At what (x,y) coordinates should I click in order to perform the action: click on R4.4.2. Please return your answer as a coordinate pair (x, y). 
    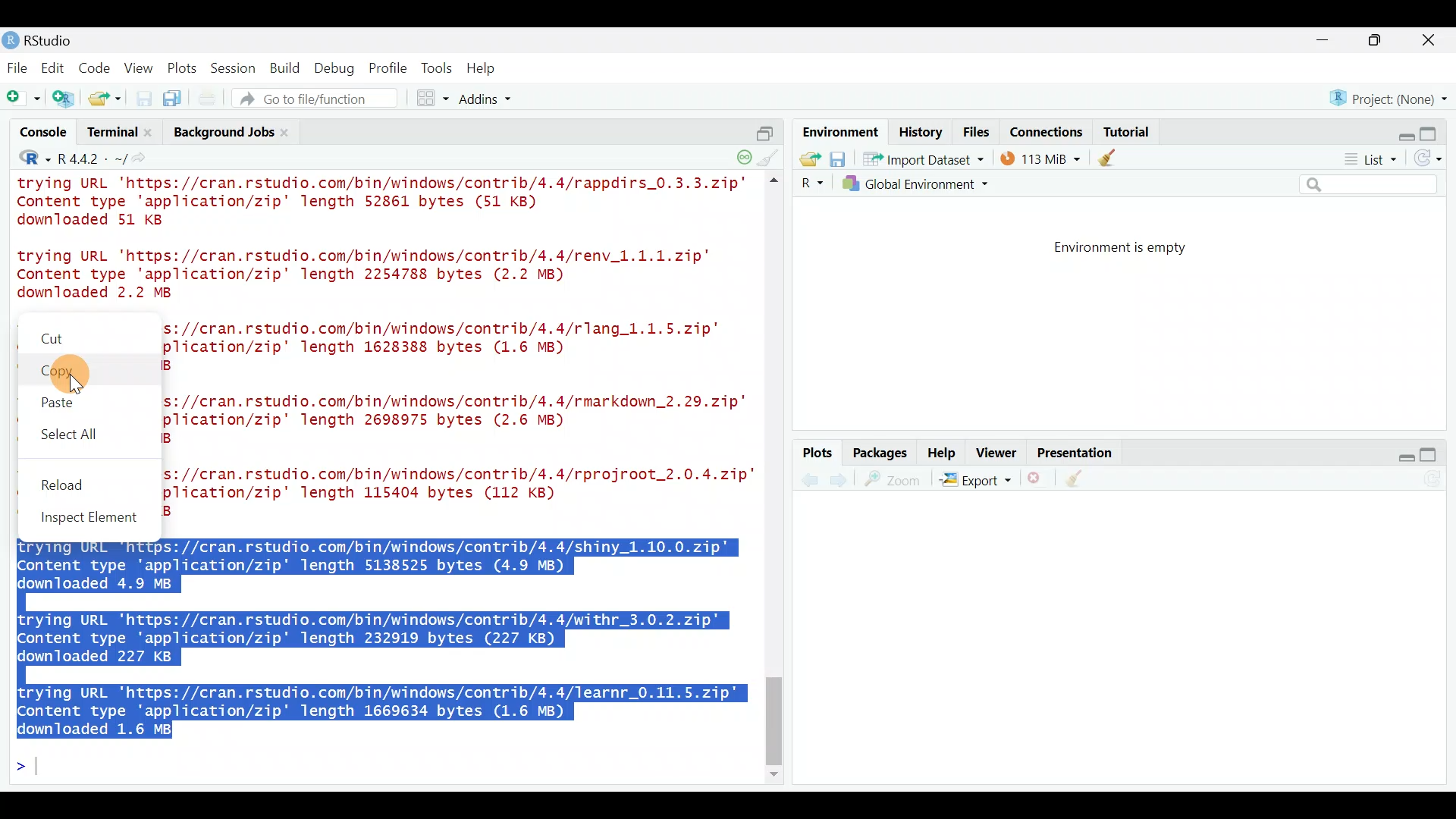
    Looking at the image, I should click on (91, 158).